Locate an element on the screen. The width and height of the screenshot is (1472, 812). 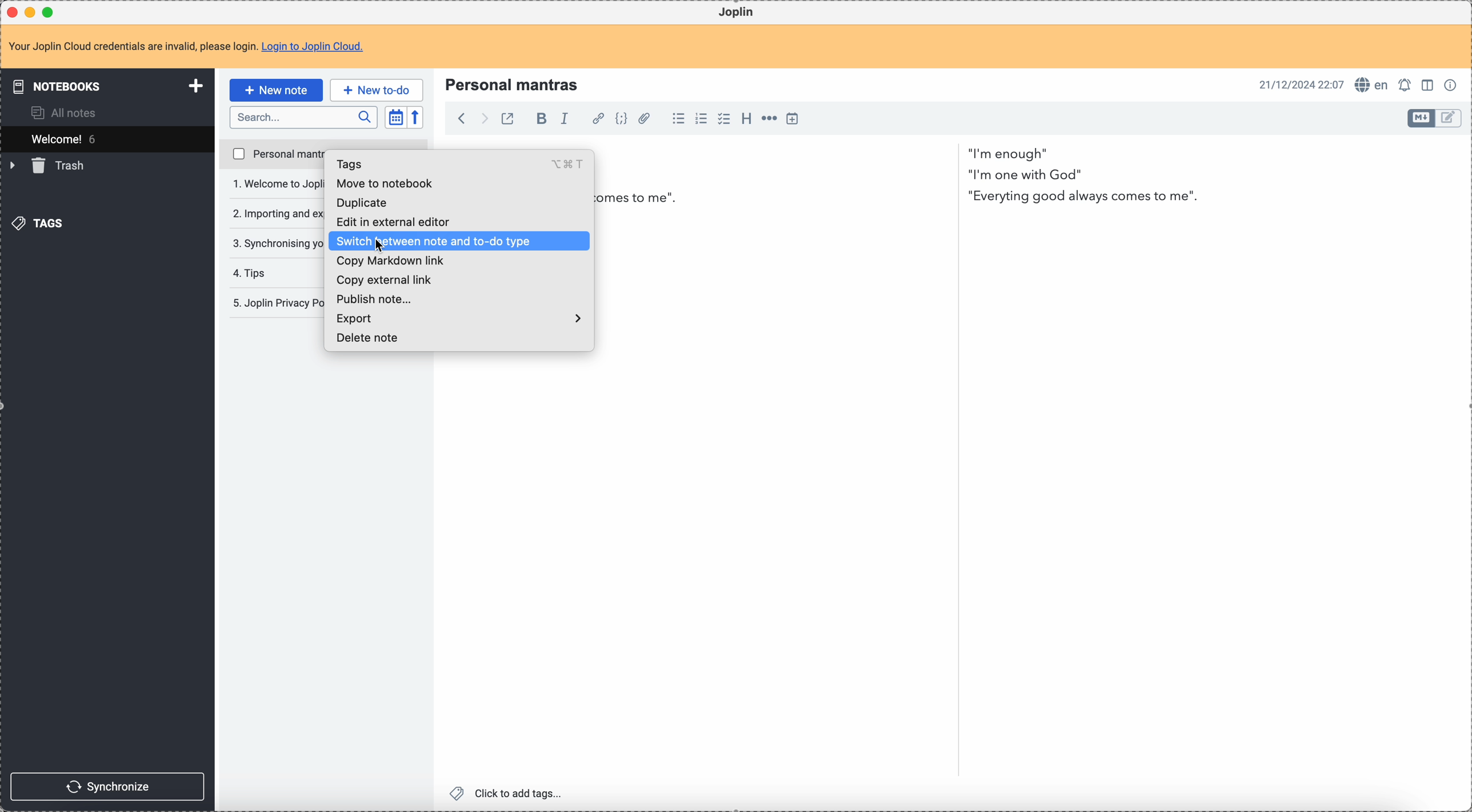
toggle editor layout is located at coordinates (1422, 119).